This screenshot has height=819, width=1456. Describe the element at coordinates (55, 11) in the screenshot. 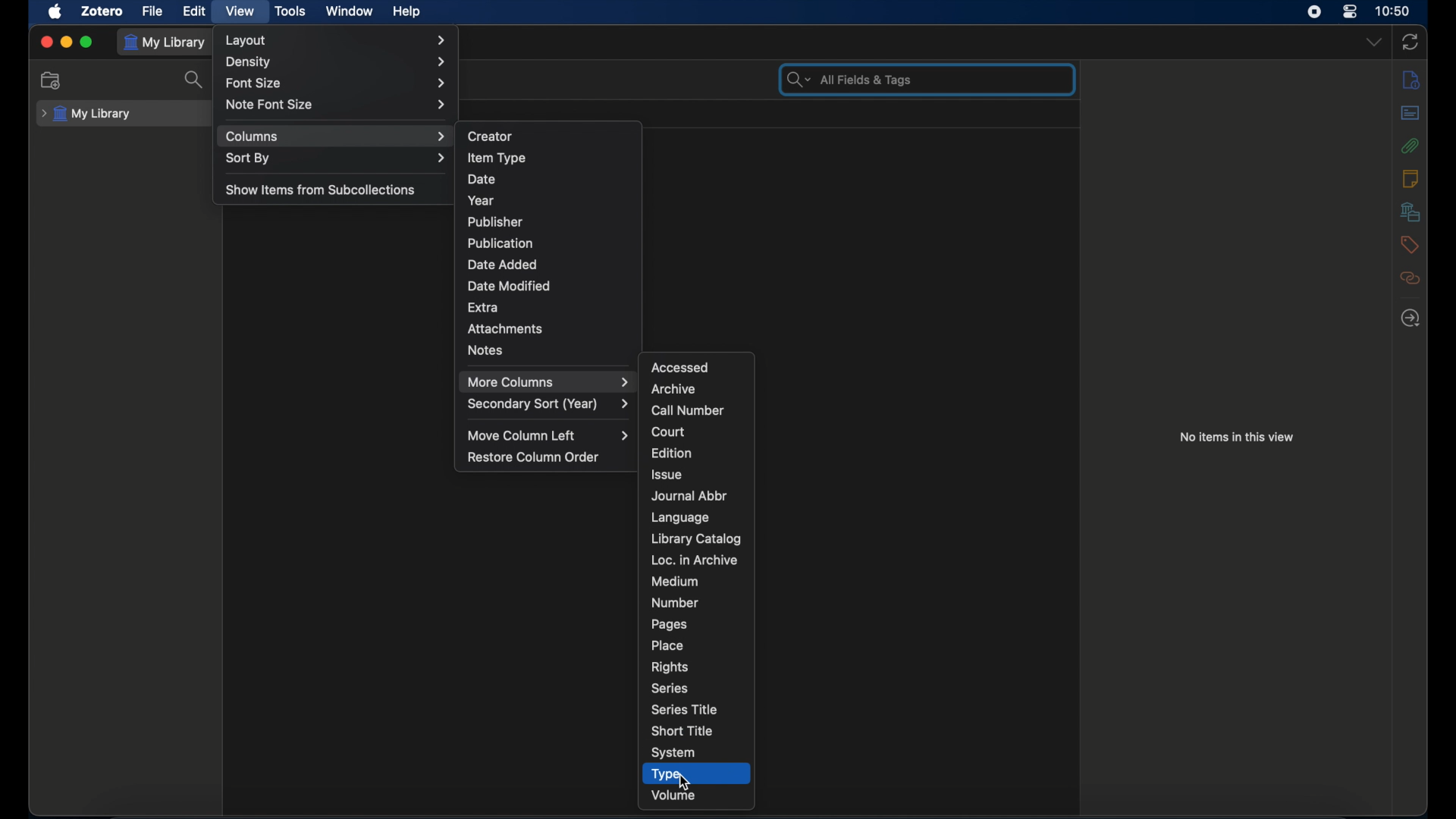

I see `apple` at that location.